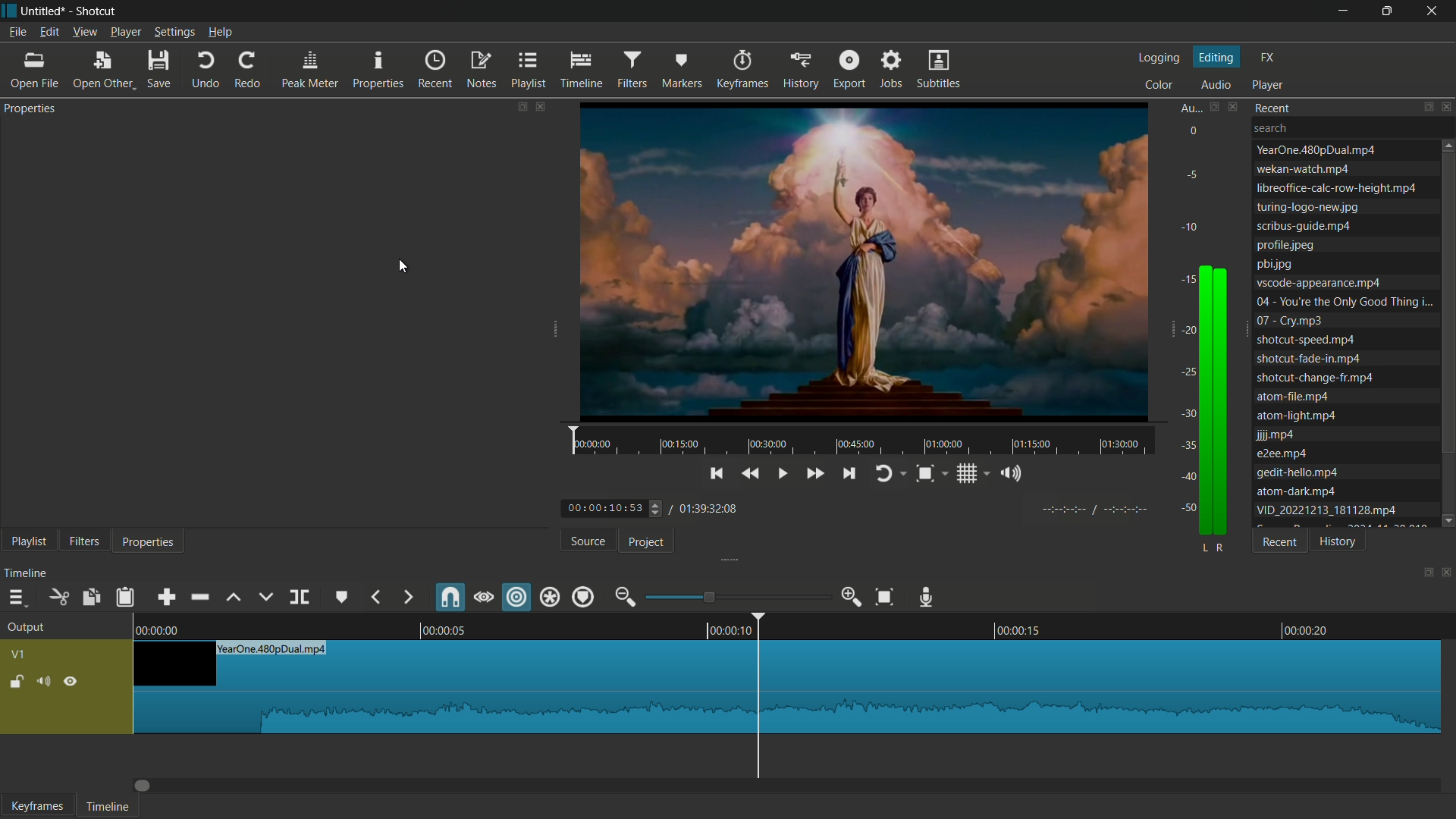 The width and height of the screenshot is (1456, 819). I want to click on file-5, so click(1304, 227).